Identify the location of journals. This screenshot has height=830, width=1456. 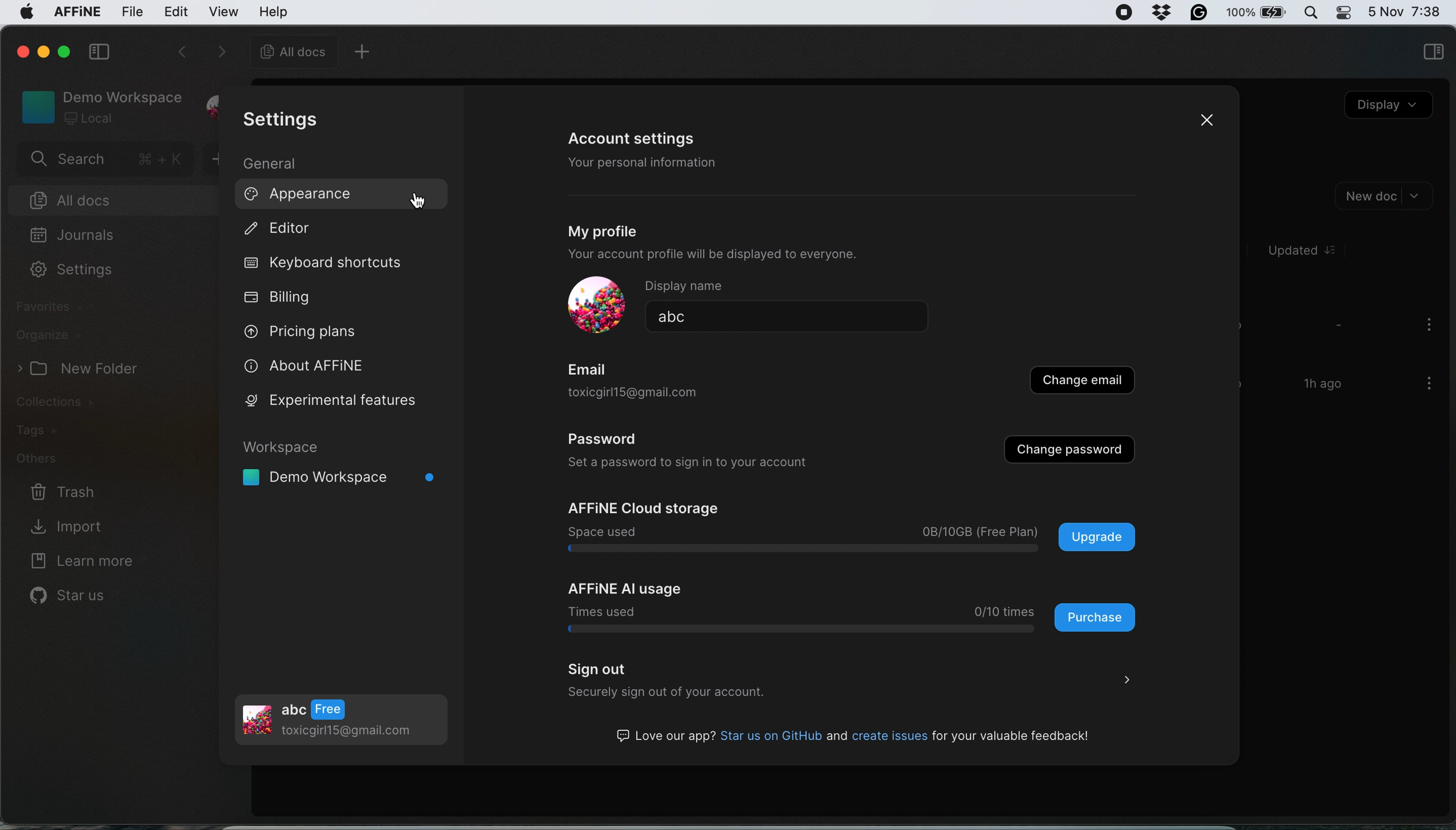
(75, 236).